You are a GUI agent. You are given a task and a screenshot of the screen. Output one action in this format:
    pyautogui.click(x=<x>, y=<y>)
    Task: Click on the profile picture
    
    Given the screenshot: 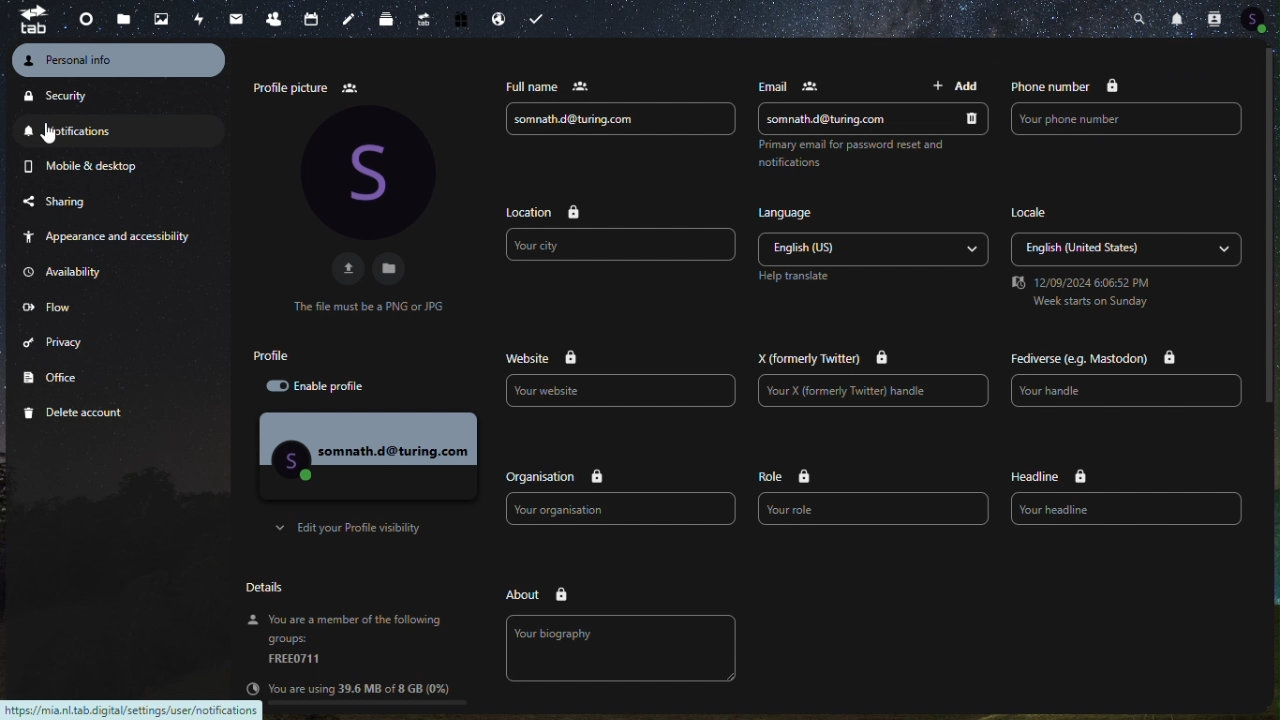 What is the action you would take?
    pyautogui.click(x=307, y=86)
    